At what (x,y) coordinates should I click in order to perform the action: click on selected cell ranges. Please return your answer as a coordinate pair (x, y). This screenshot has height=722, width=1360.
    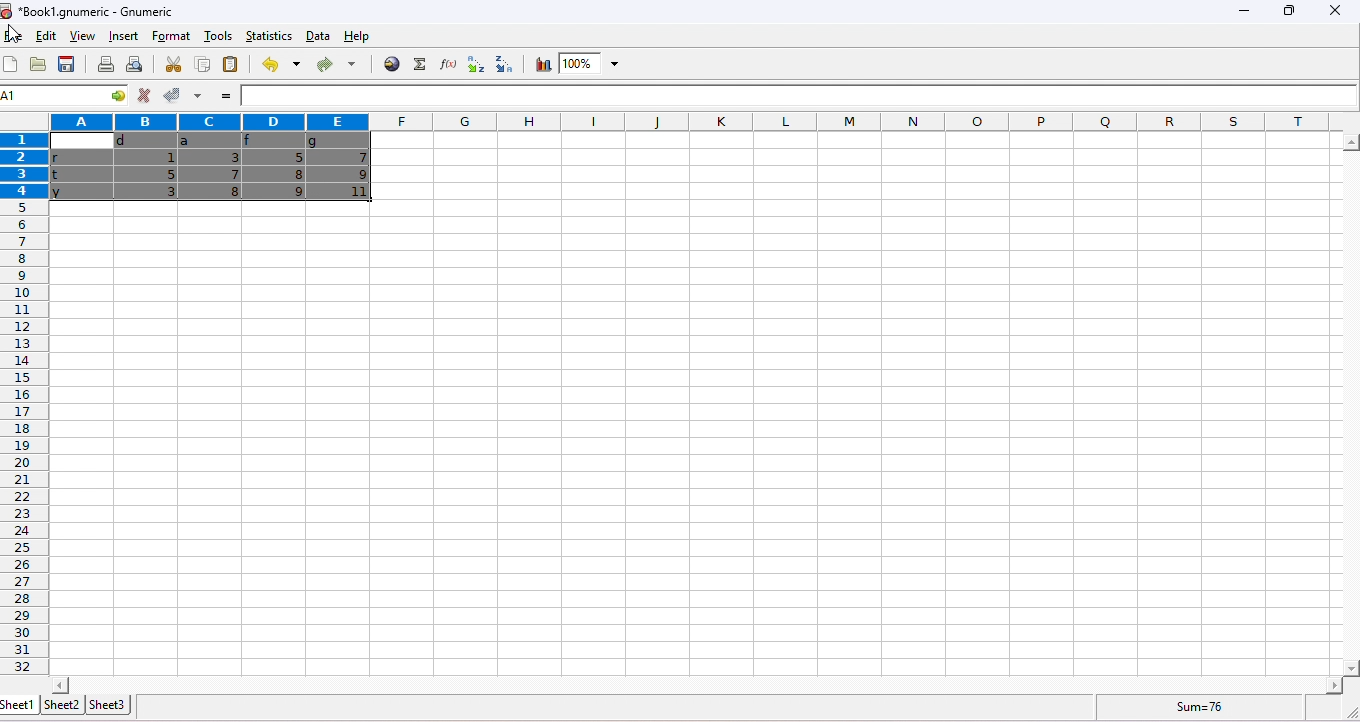
    Looking at the image, I should click on (28, 97).